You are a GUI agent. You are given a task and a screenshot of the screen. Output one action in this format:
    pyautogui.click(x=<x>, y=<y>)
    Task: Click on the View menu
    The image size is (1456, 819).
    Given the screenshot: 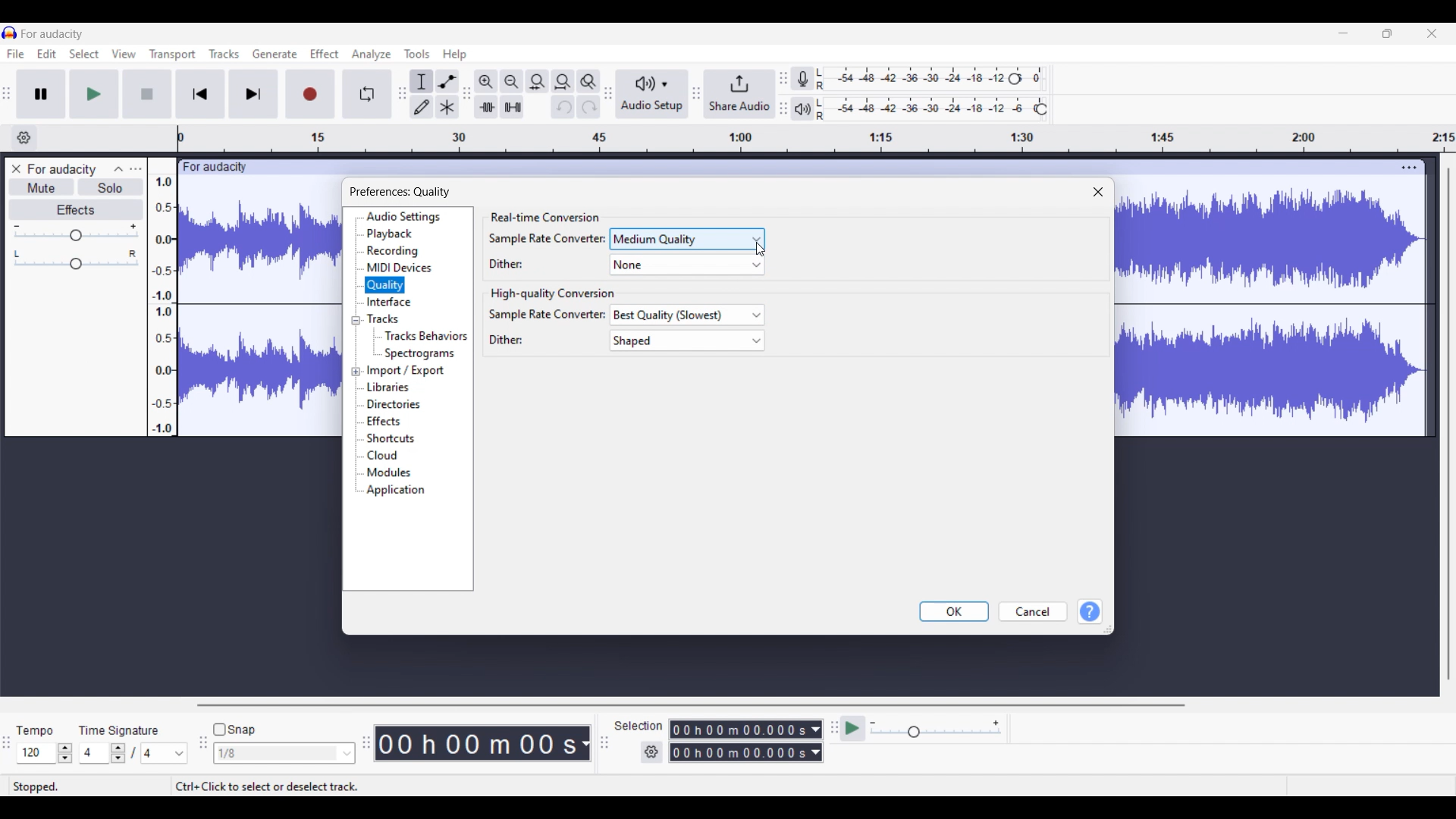 What is the action you would take?
    pyautogui.click(x=124, y=54)
    